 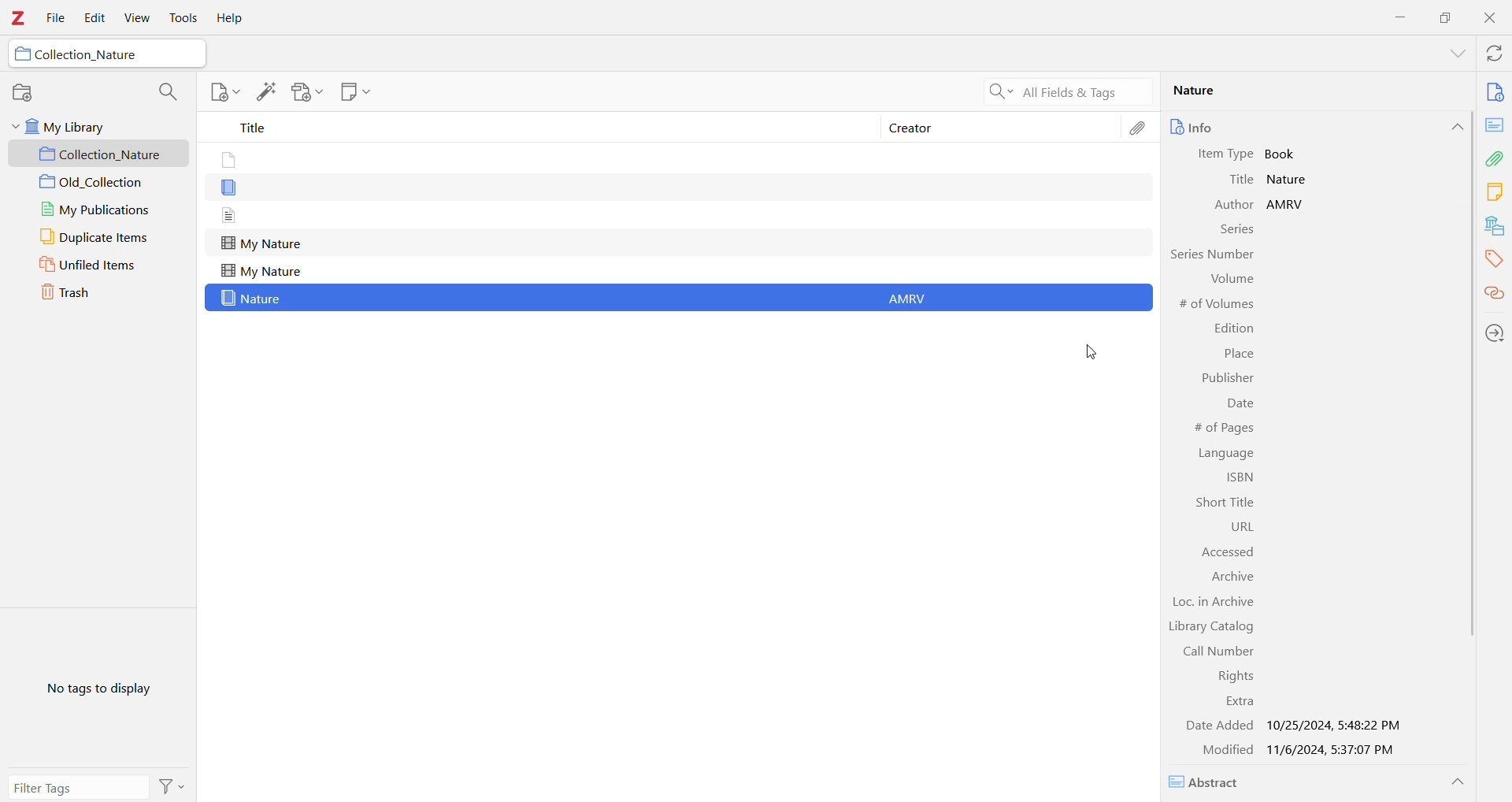 I want to click on File, so click(x=57, y=19).